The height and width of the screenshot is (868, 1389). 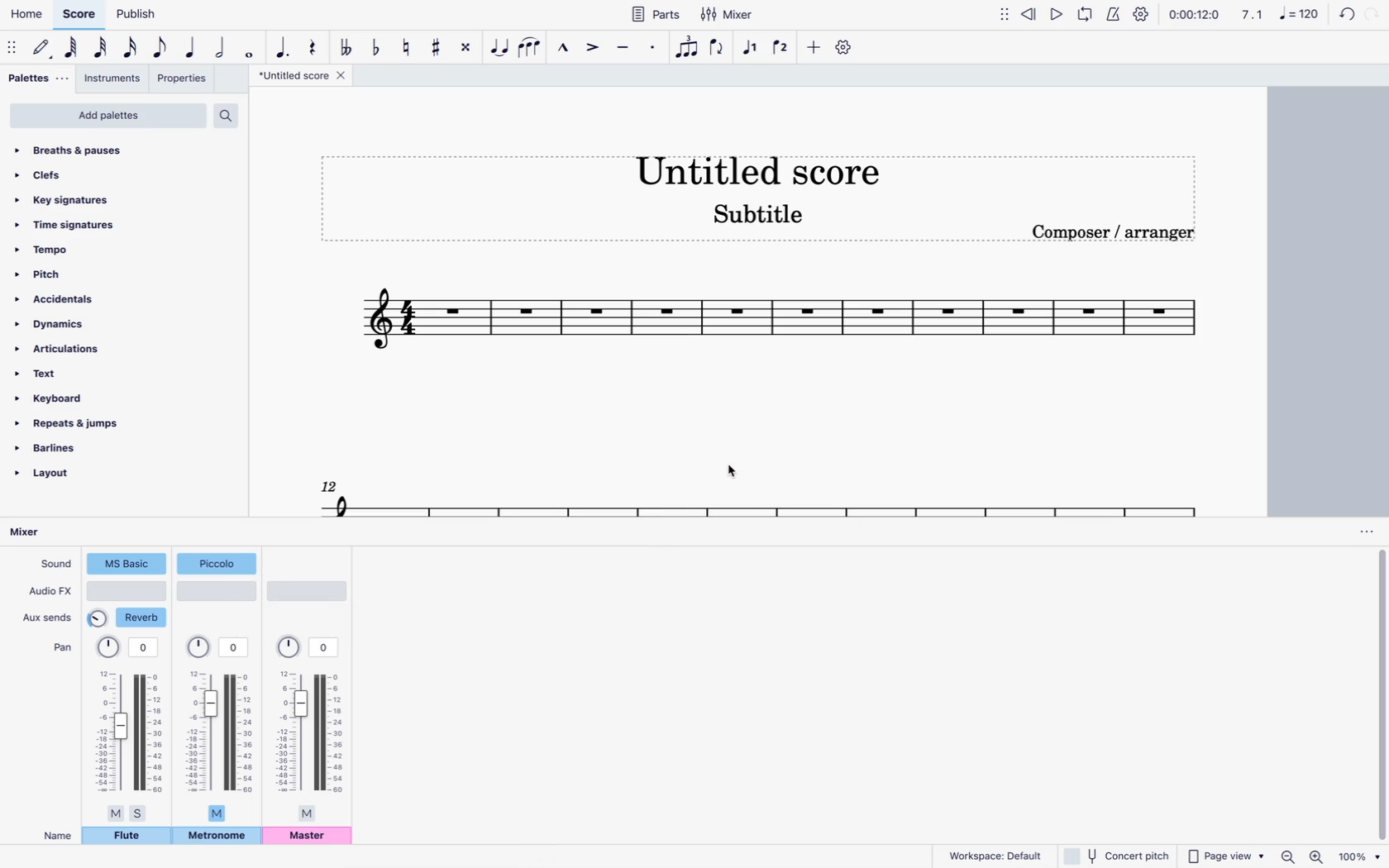 I want to click on default, so click(x=45, y=49).